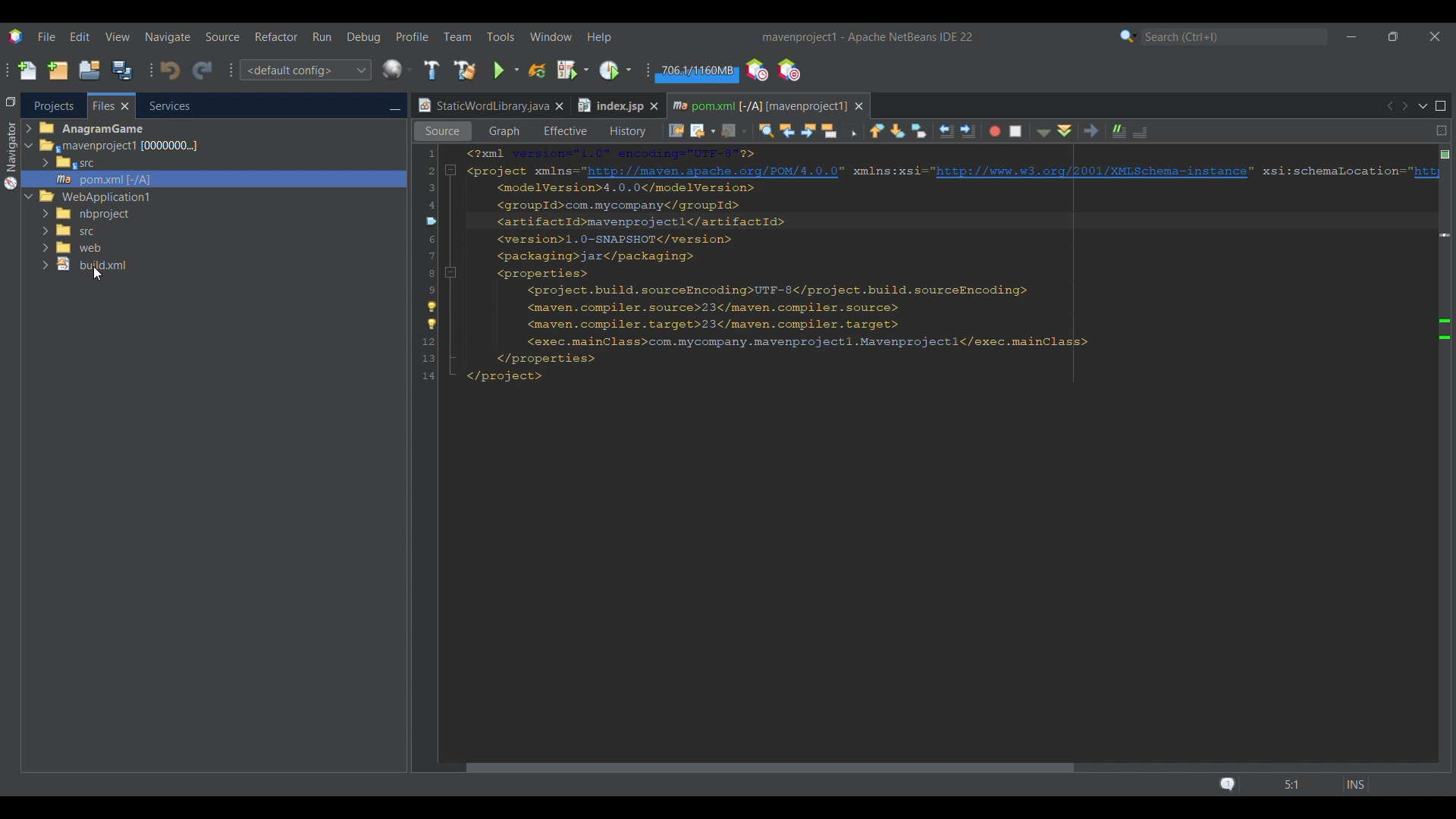  I want to click on Minimize, so click(1351, 37).